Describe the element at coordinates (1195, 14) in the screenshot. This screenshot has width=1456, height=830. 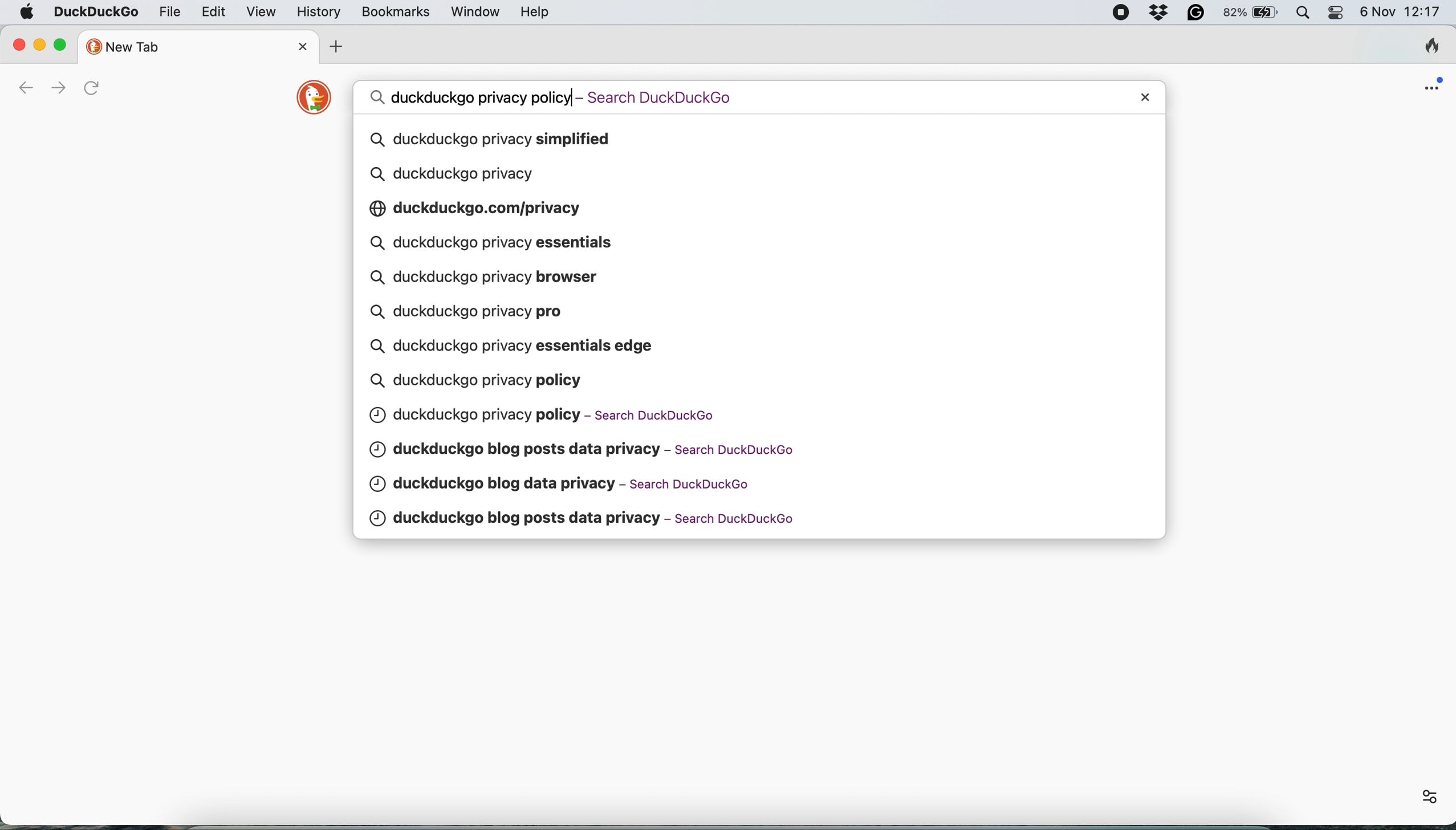
I see `grammarly` at that location.